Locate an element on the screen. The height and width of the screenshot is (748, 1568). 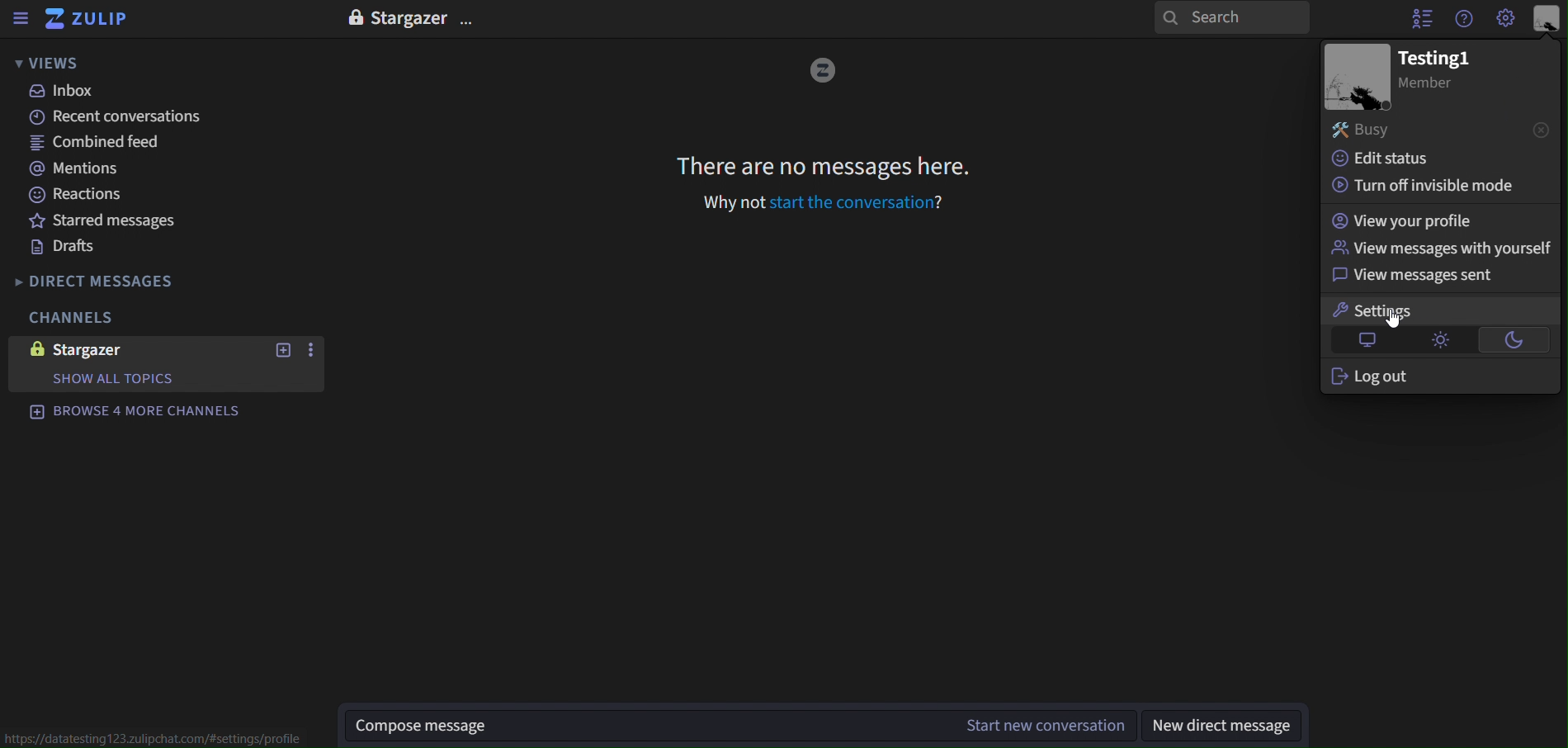
main menu is located at coordinates (1506, 17).